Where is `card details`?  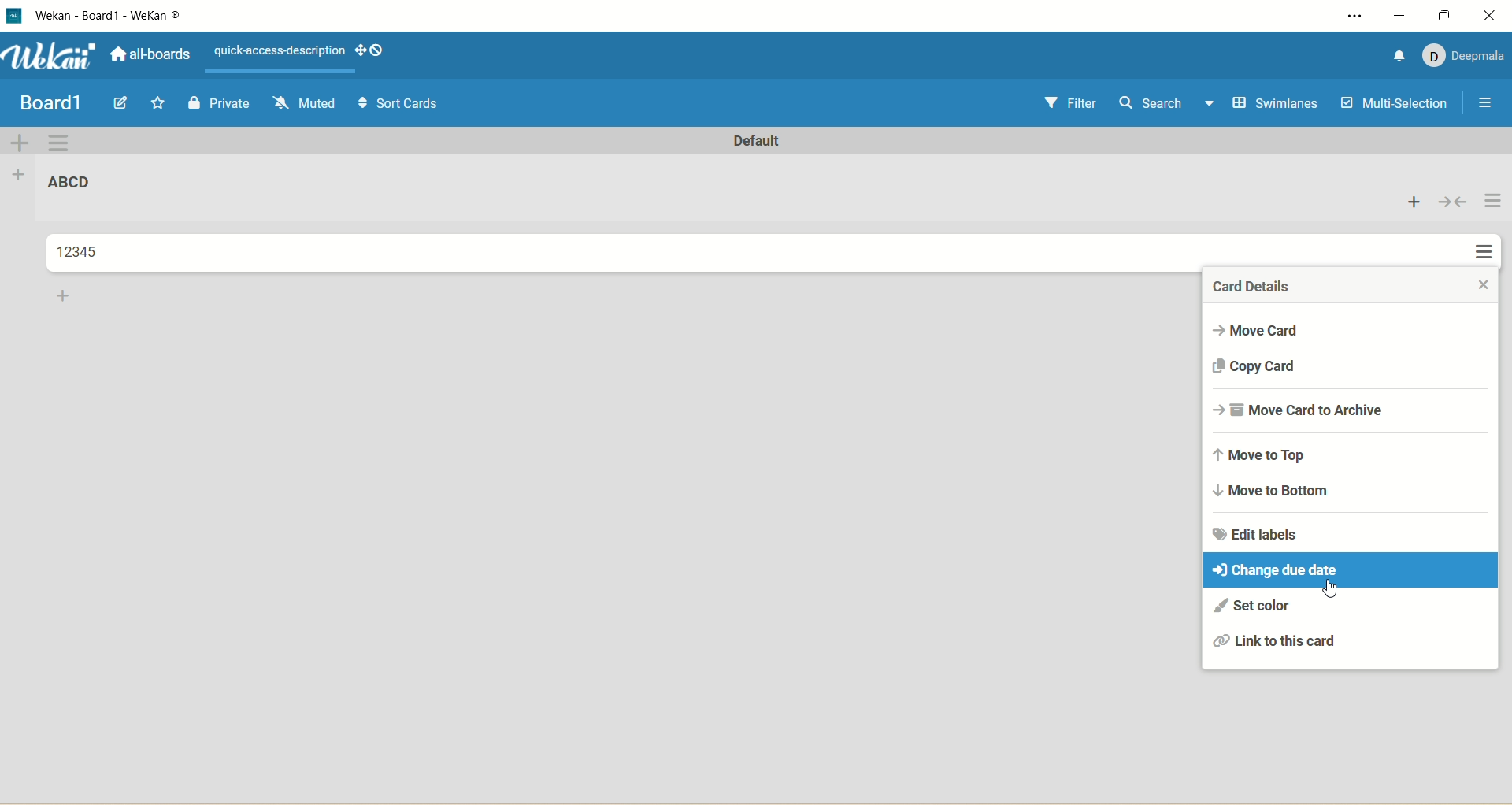 card details is located at coordinates (1258, 285).